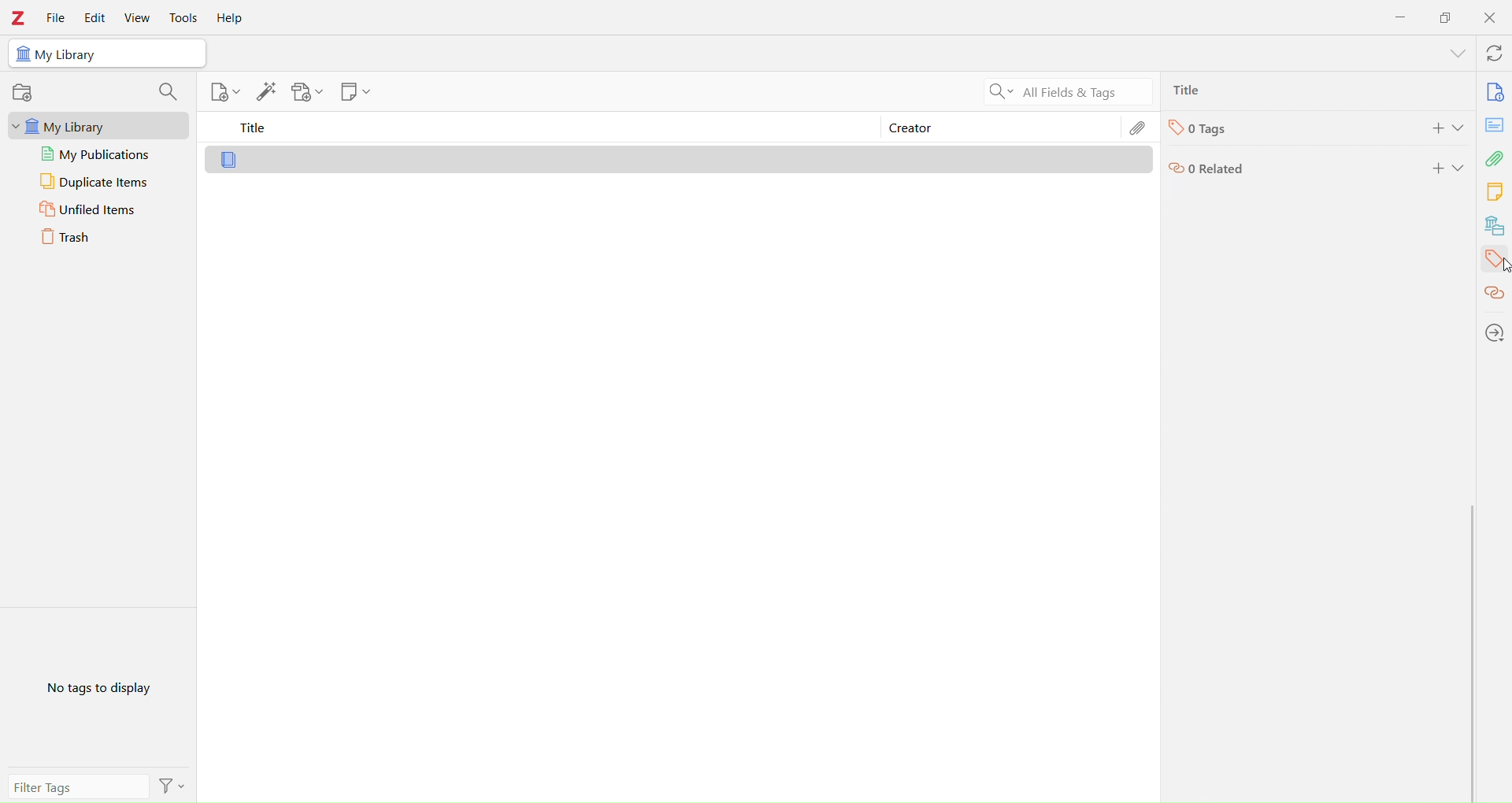 This screenshot has width=1512, height=803. What do you see at coordinates (535, 130) in the screenshot?
I see `Title` at bounding box center [535, 130].